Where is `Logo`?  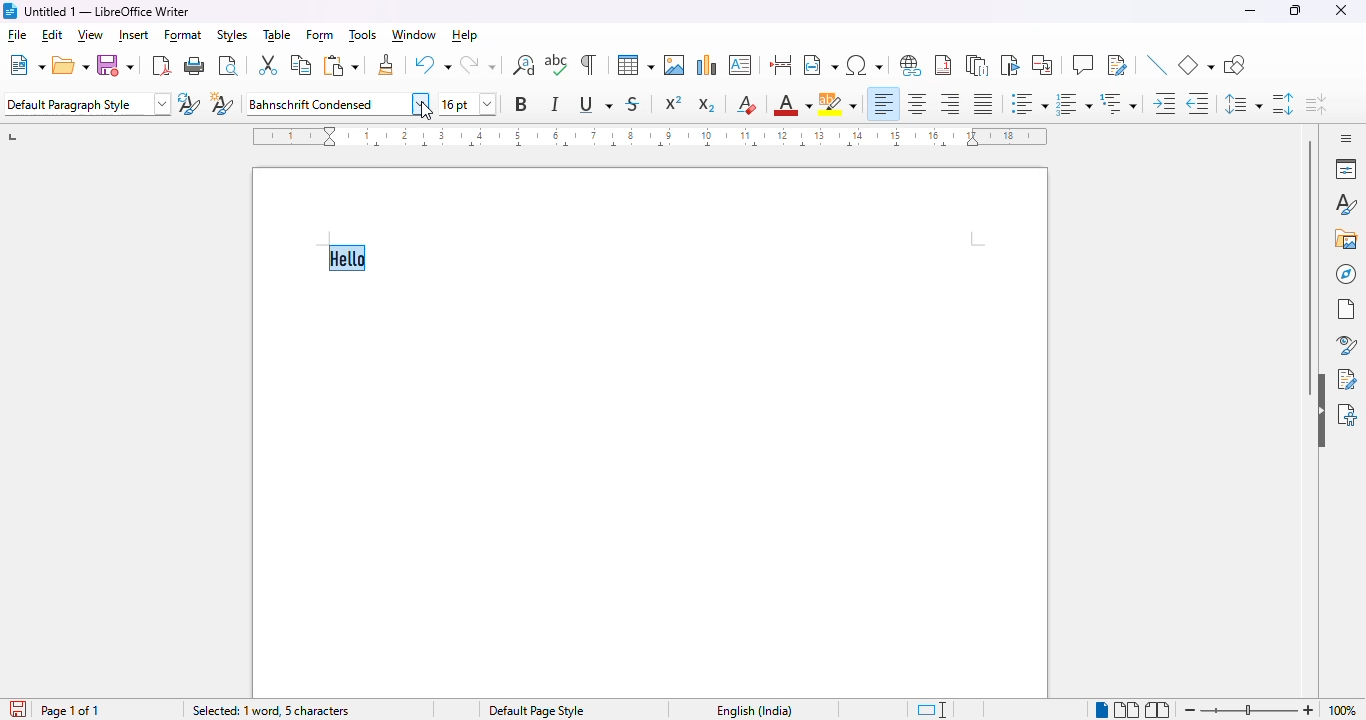 Logo is located at coordinates (9, 11).